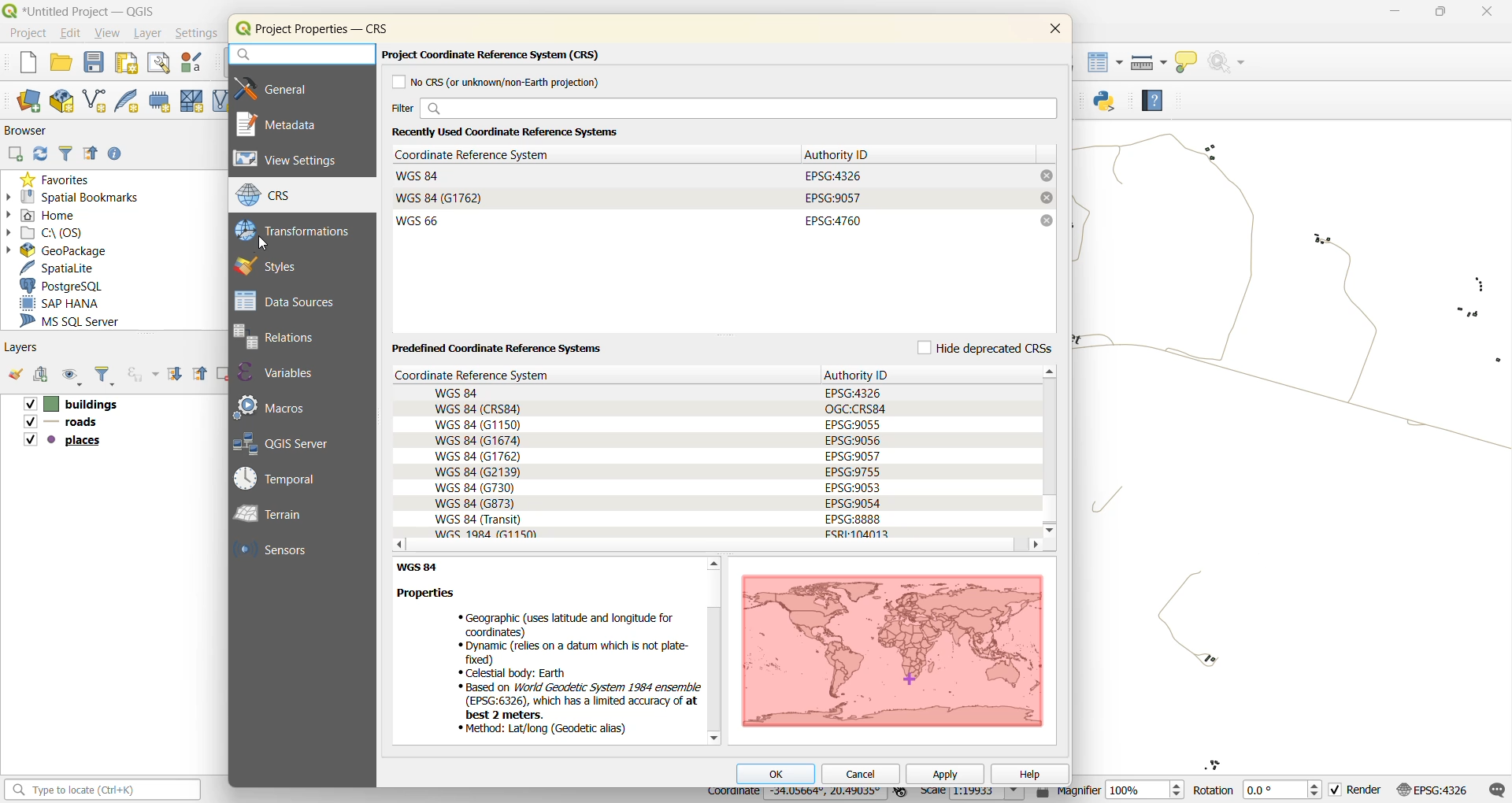 The width and height of the screenshot is (1512, 803). Describe the element at coordinates (324, 28) in the screenshot. I see `Project Properties — CRS` at that location.